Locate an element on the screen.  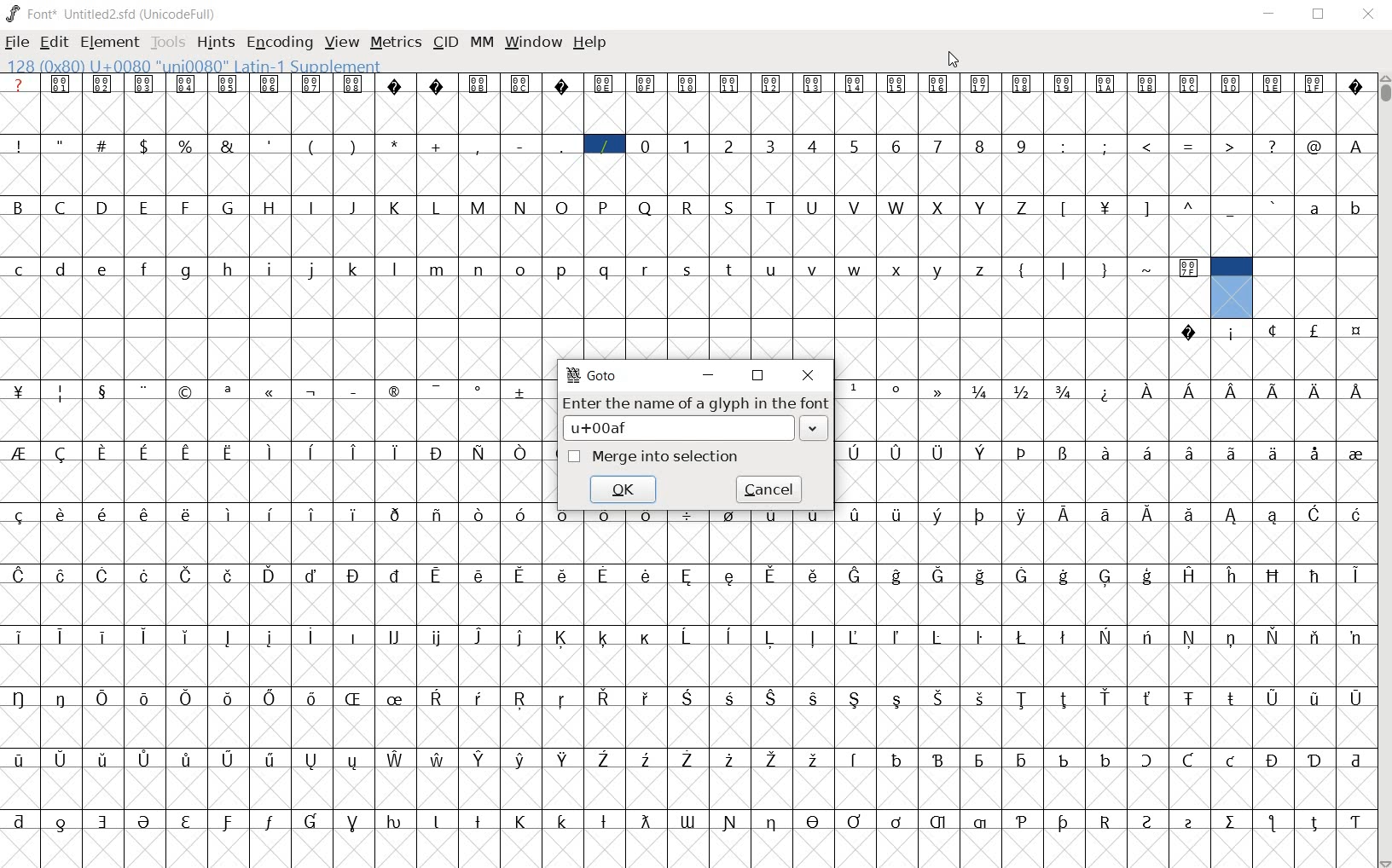
Symbol is located at coordinates (270, 637).